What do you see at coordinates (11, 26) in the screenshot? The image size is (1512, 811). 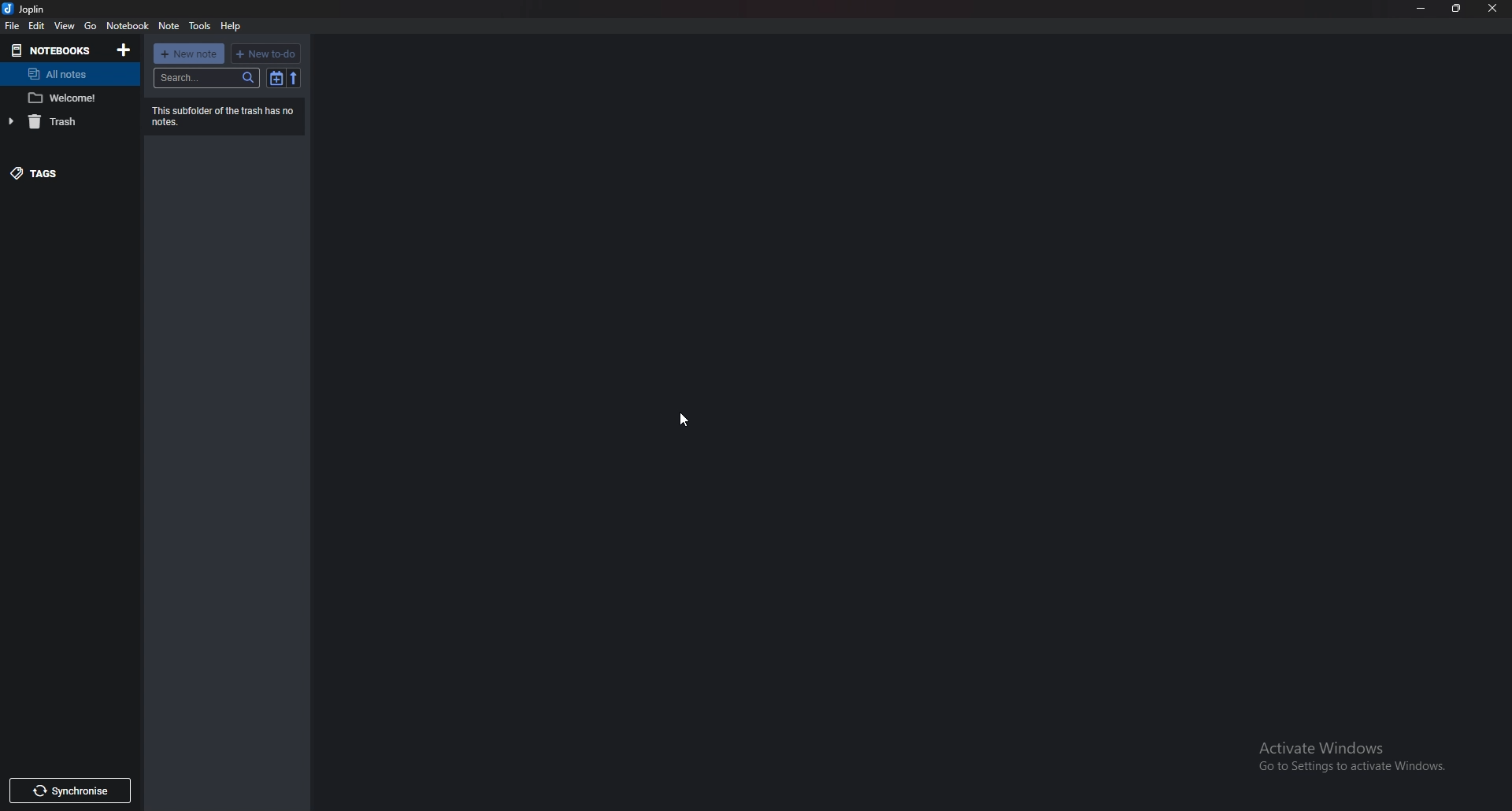 I see `file` at bounding box center [11, 26].